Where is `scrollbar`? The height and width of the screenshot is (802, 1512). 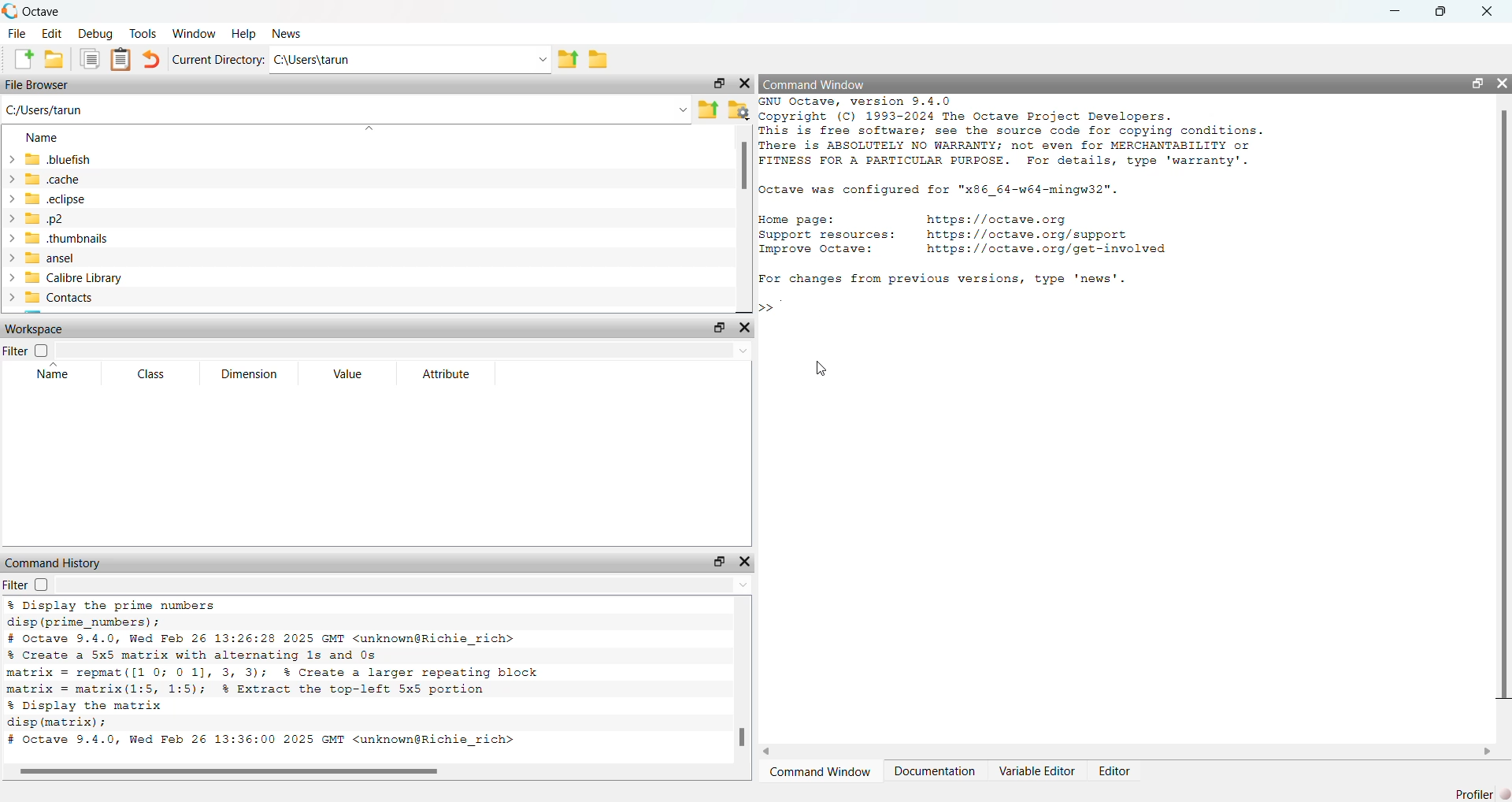
scrollbar is located at coordinates (743, 169).